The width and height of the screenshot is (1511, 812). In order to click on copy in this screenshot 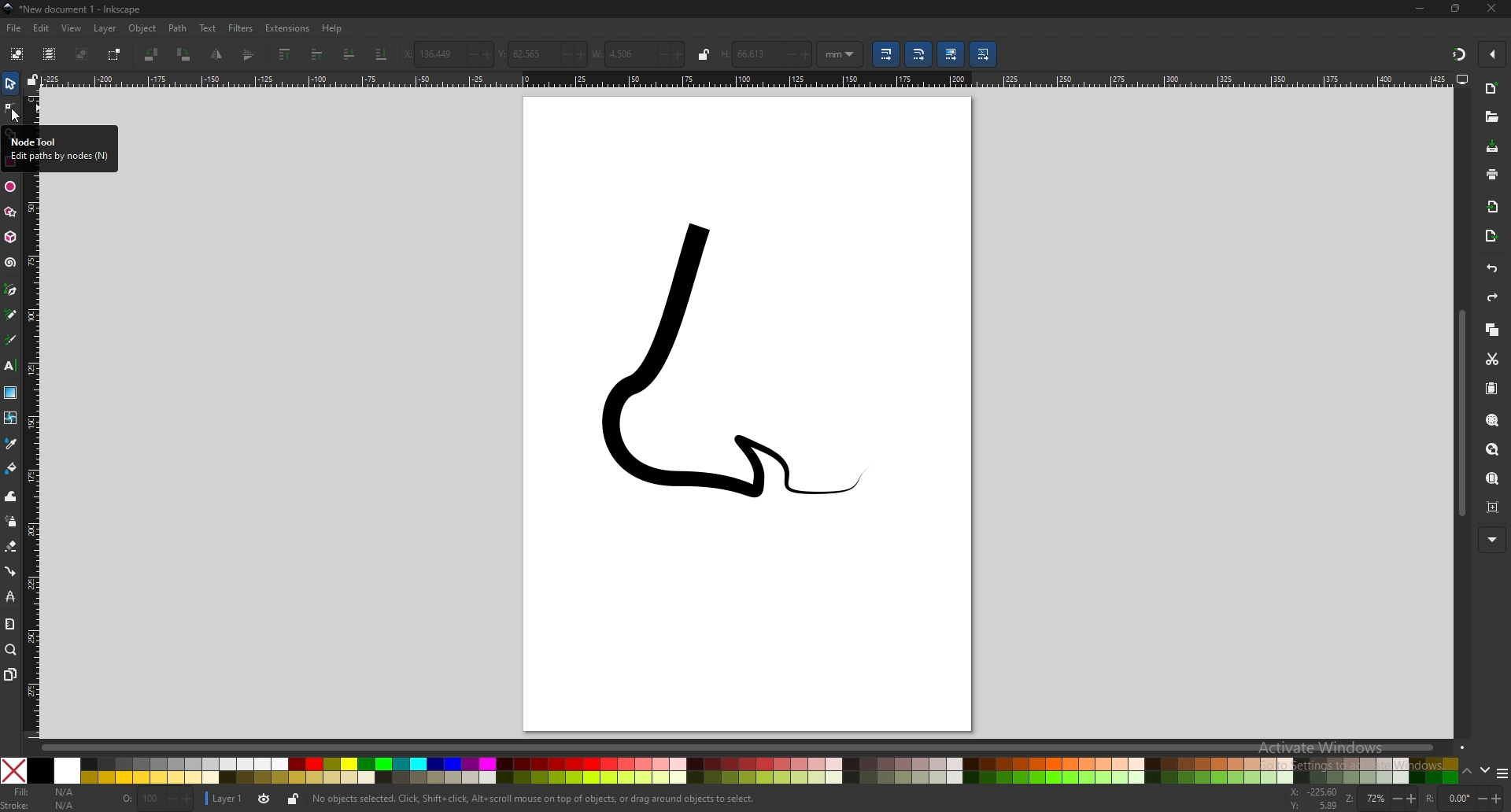, I will do `click(1492, 330)`.